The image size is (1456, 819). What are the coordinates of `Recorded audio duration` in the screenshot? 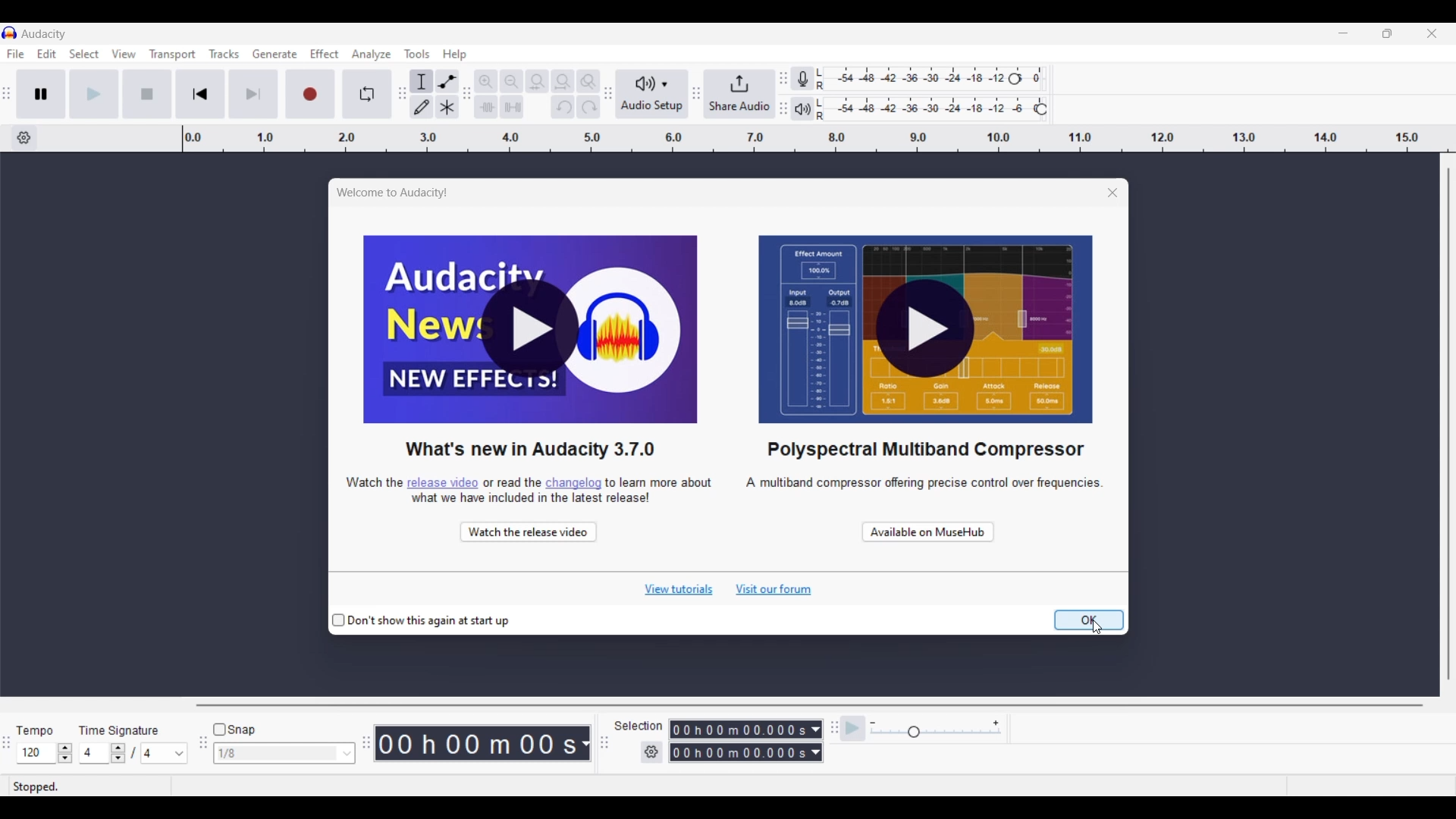 It's located at (477, 744).